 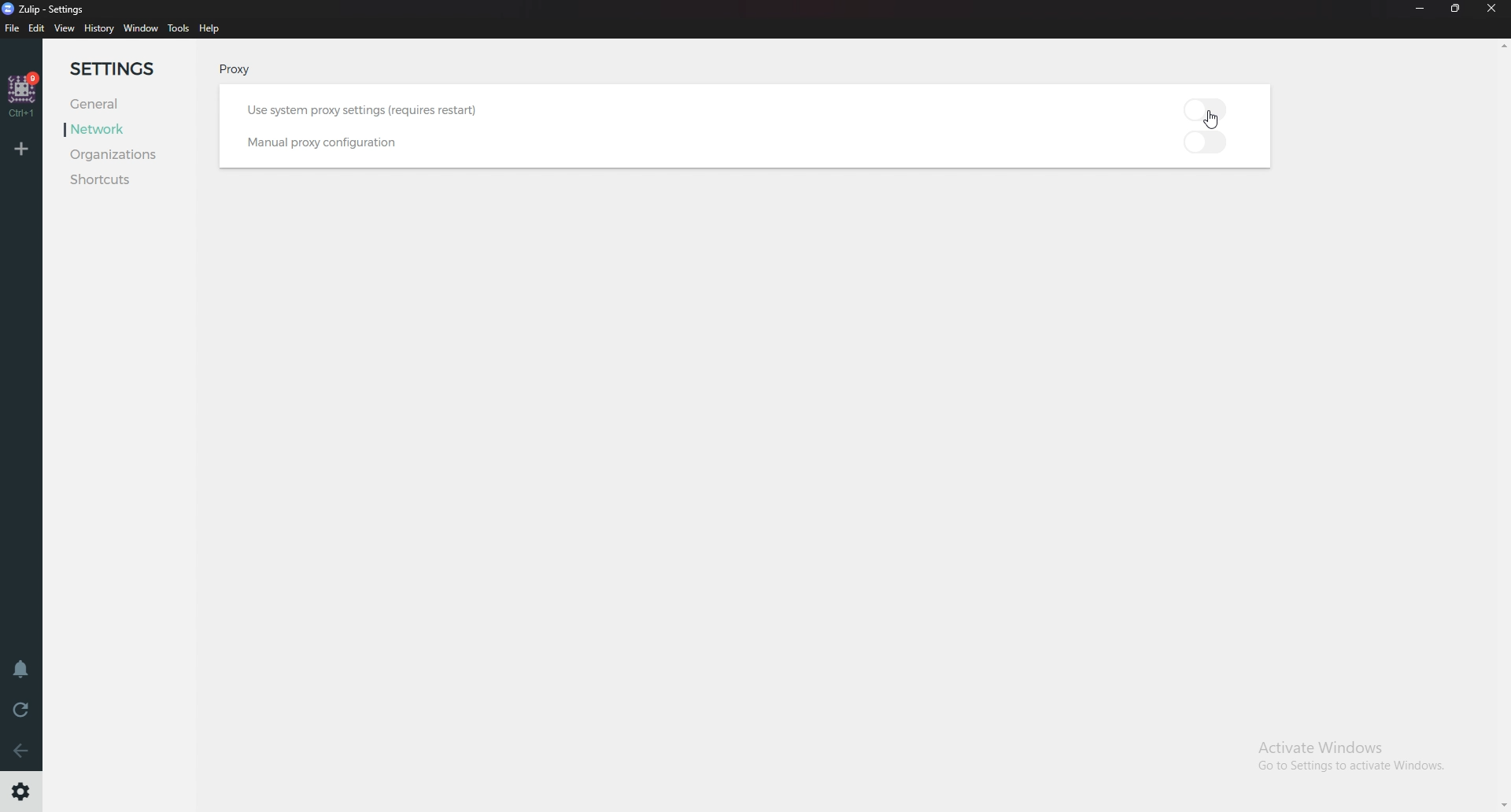 What do you see at coordinates (333, 142) in the screenshot?
I see `Manual proxy configuration` at bounding box center [333, 142].